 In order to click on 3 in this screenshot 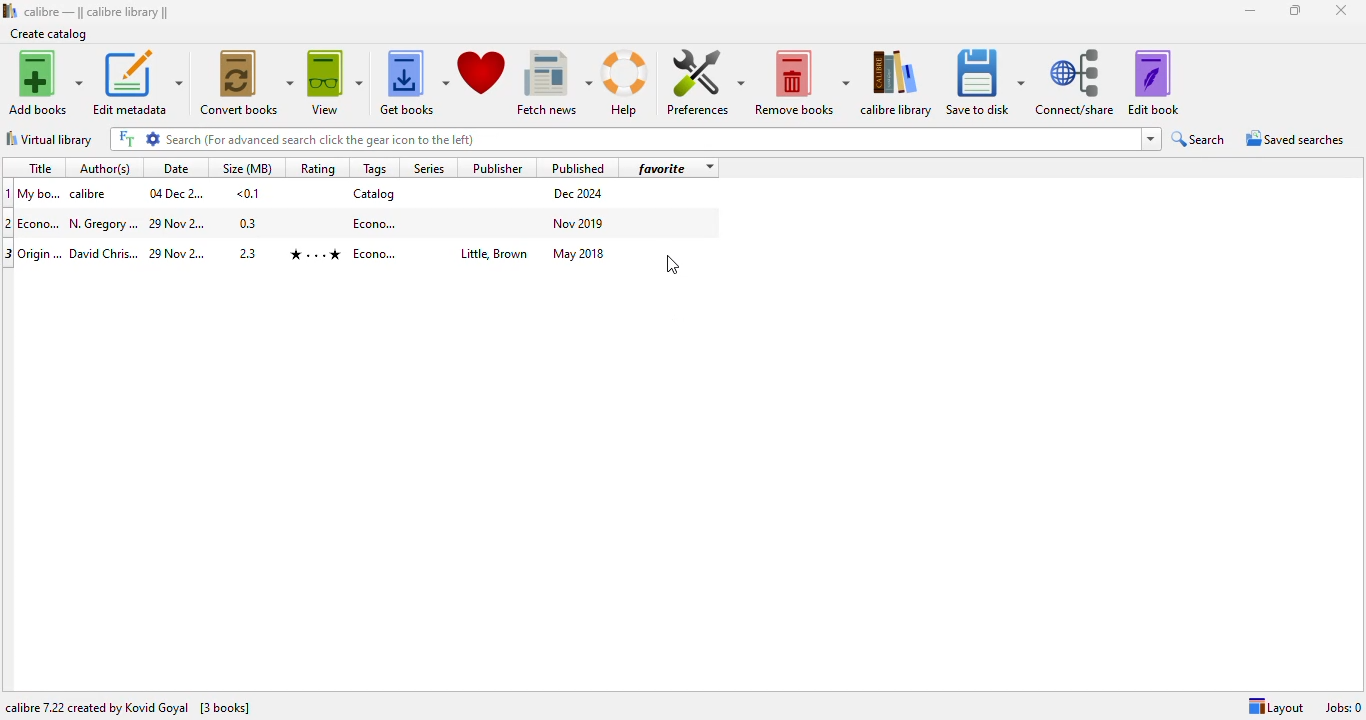, I will do `click(9, 254)`.